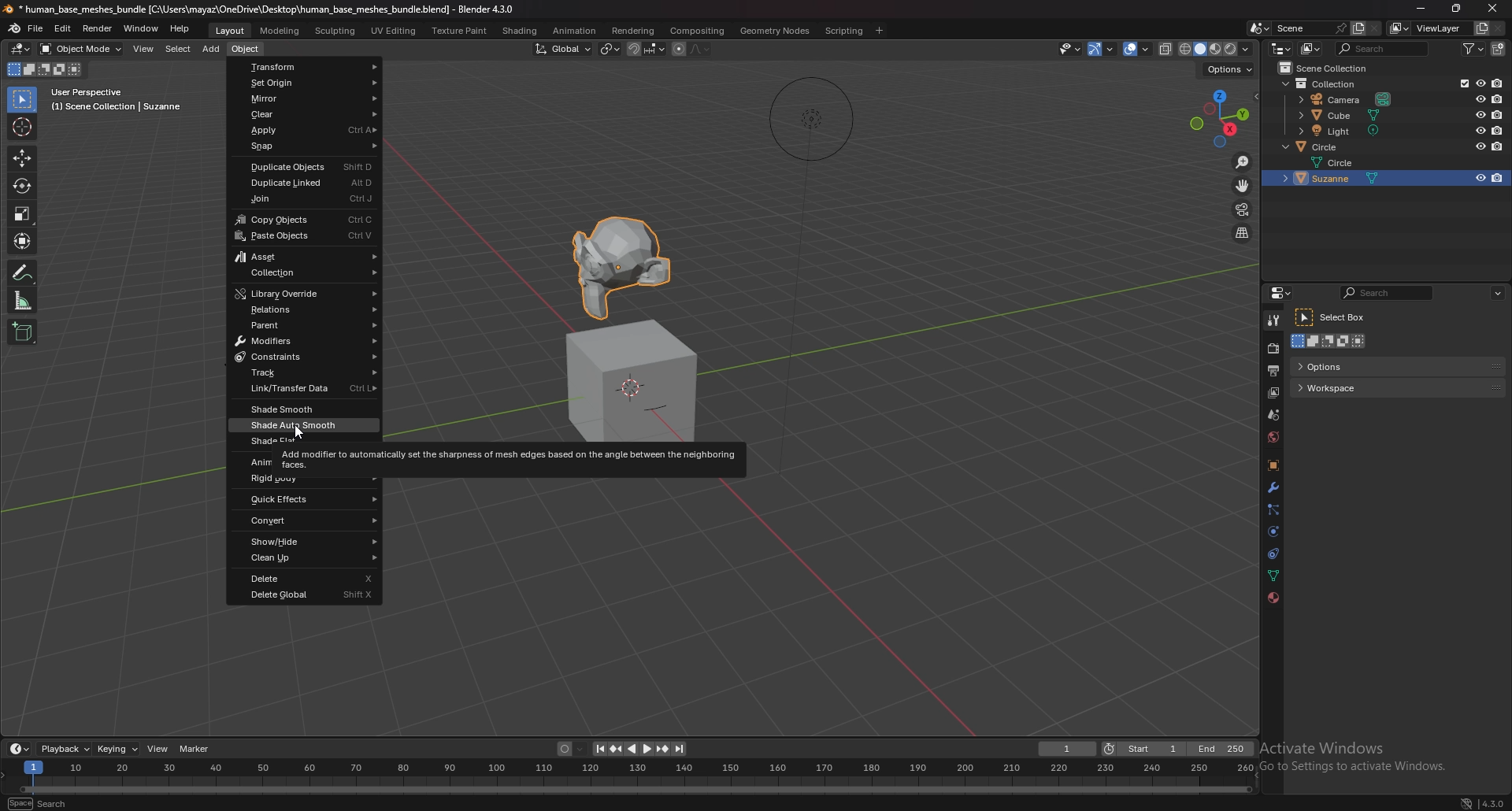 This screenshot has height=811, width=1512. Describe the element at coordinates (306, 198) in the screenshot. I see `join` at that location.